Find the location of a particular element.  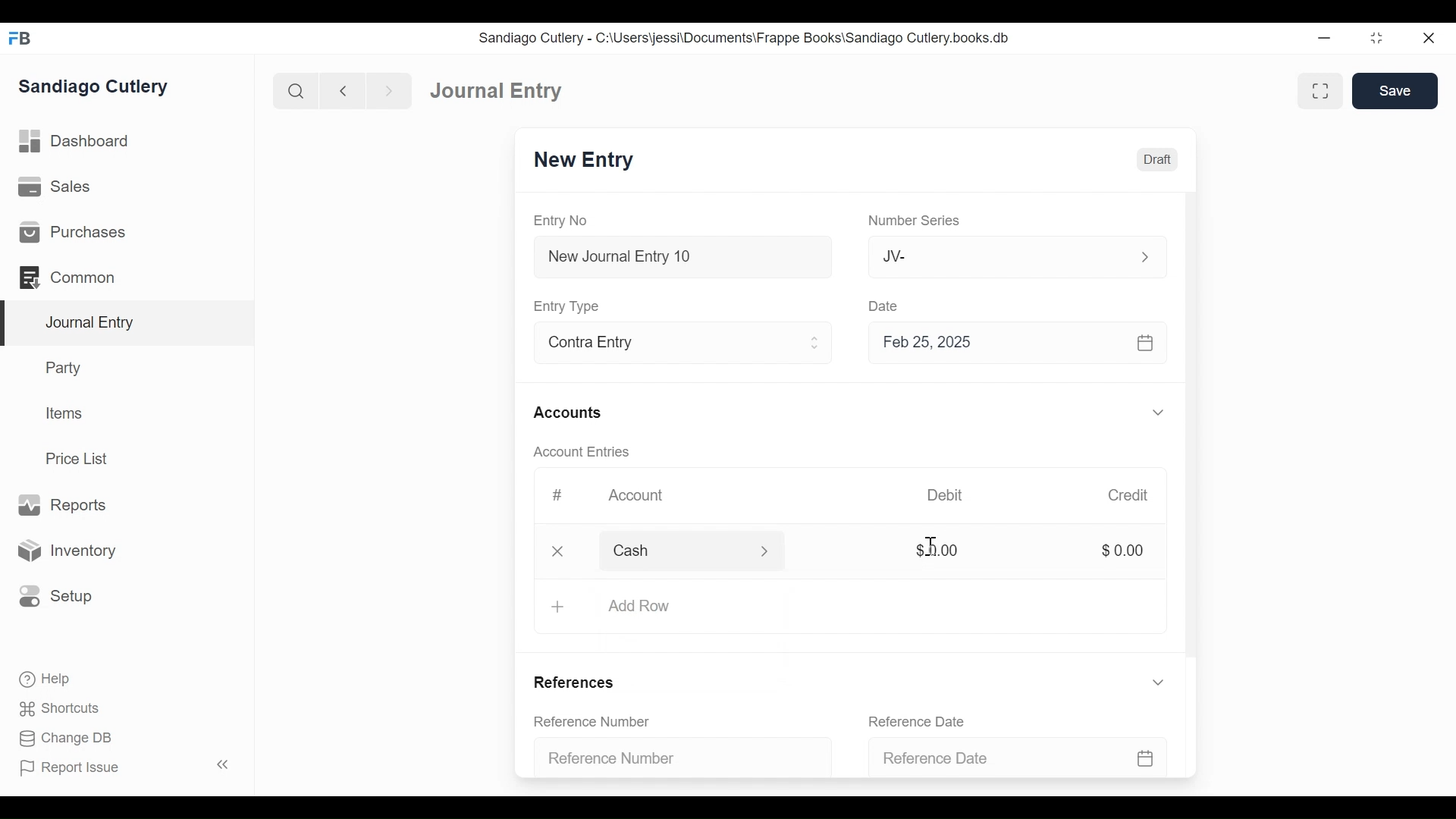

# is located at coordinates (560, 494).